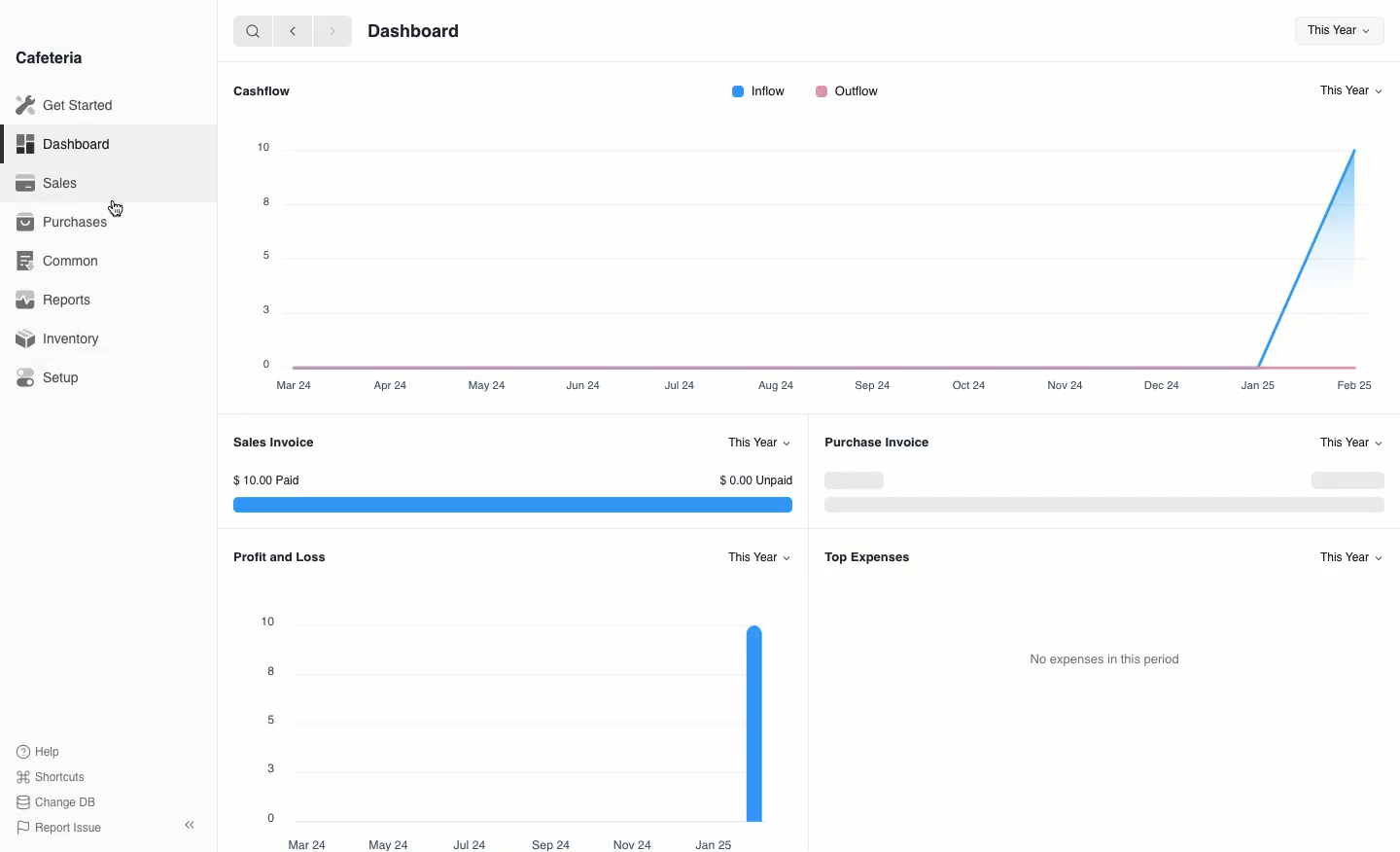 The image size is (1400, 852). What do you see at coordinates (52, 775) in the screenshot?
I see `Shortcuts` at bounding box center [52, 775].